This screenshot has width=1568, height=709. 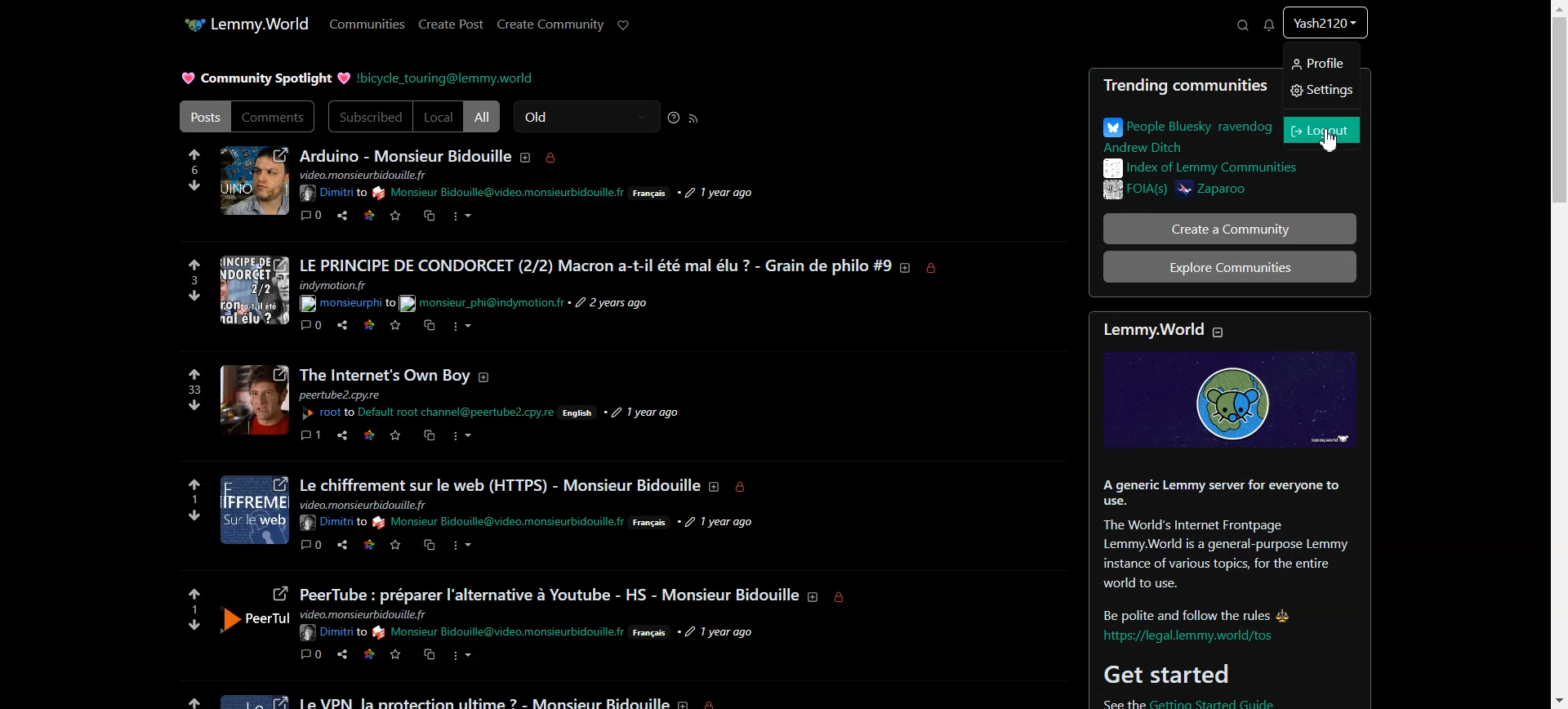 What do you see at coordinates (646, 406) in the screenshot?
I see `1 year ago` at bounding box center [646, 406].